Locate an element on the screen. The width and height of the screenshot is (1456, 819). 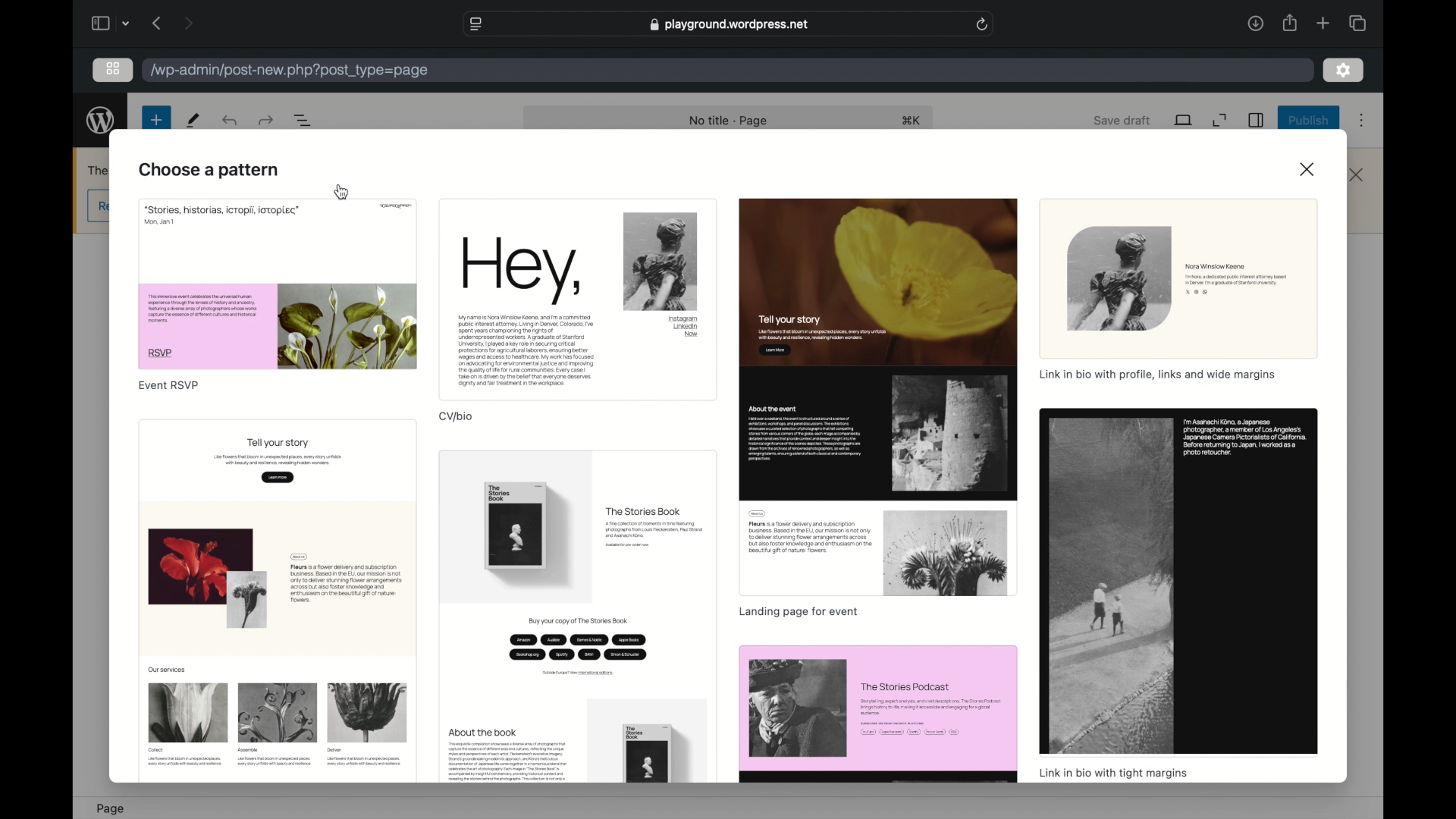
link in bio  with profile, links and margin is located at coordinates (1159, 375).